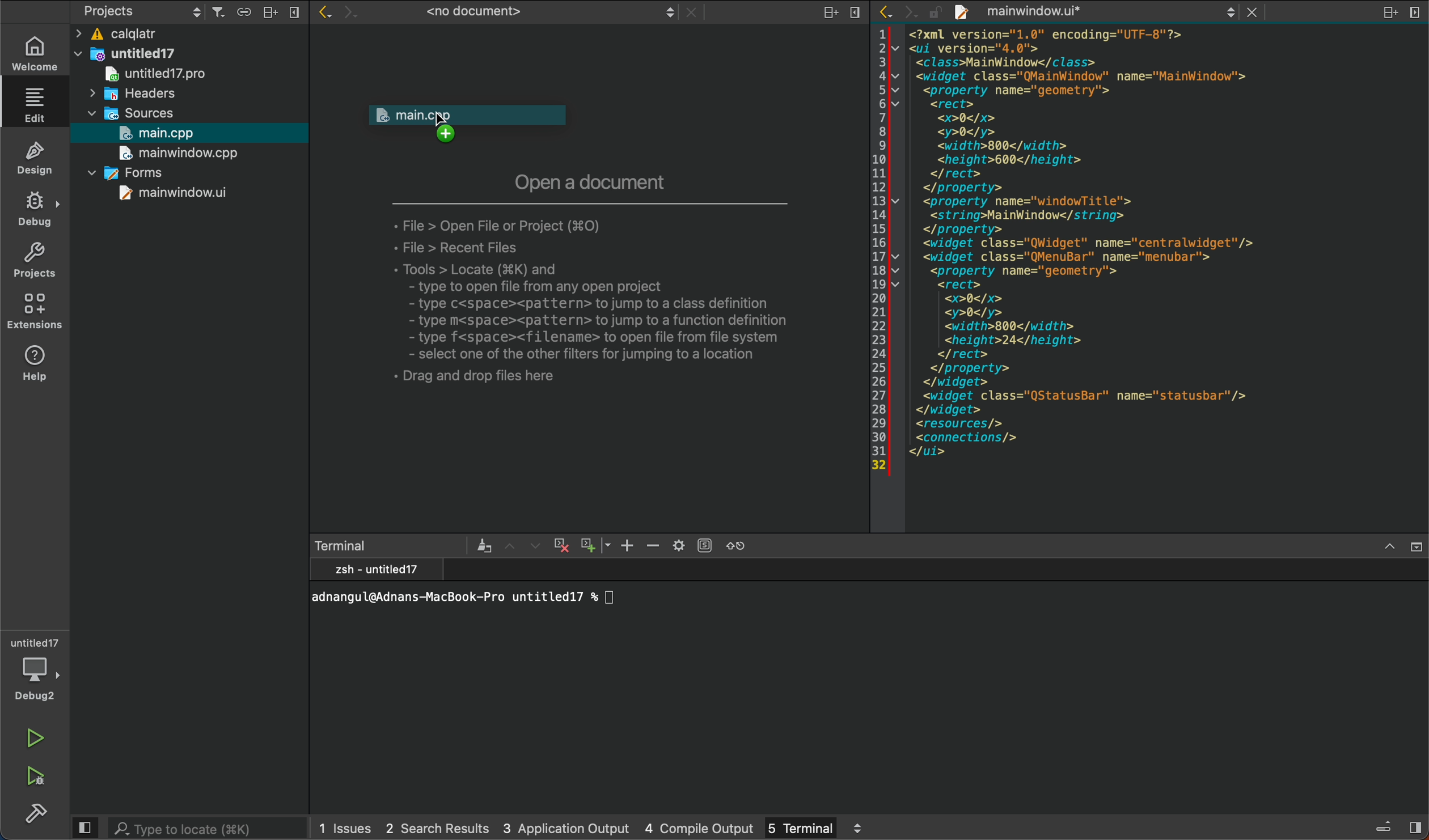  I want to click on extensions, so click(38, 314).